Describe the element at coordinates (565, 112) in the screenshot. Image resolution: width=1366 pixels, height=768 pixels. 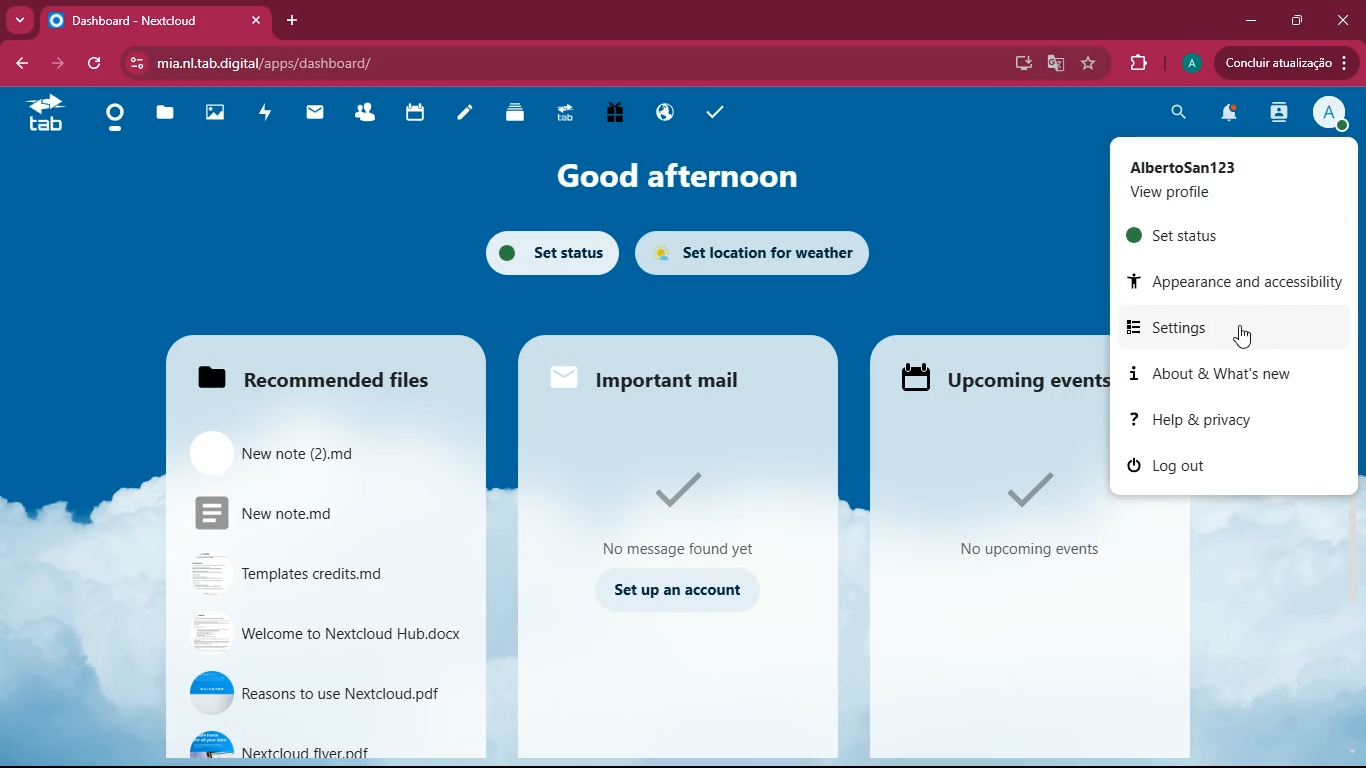
I see `tab` at that location.